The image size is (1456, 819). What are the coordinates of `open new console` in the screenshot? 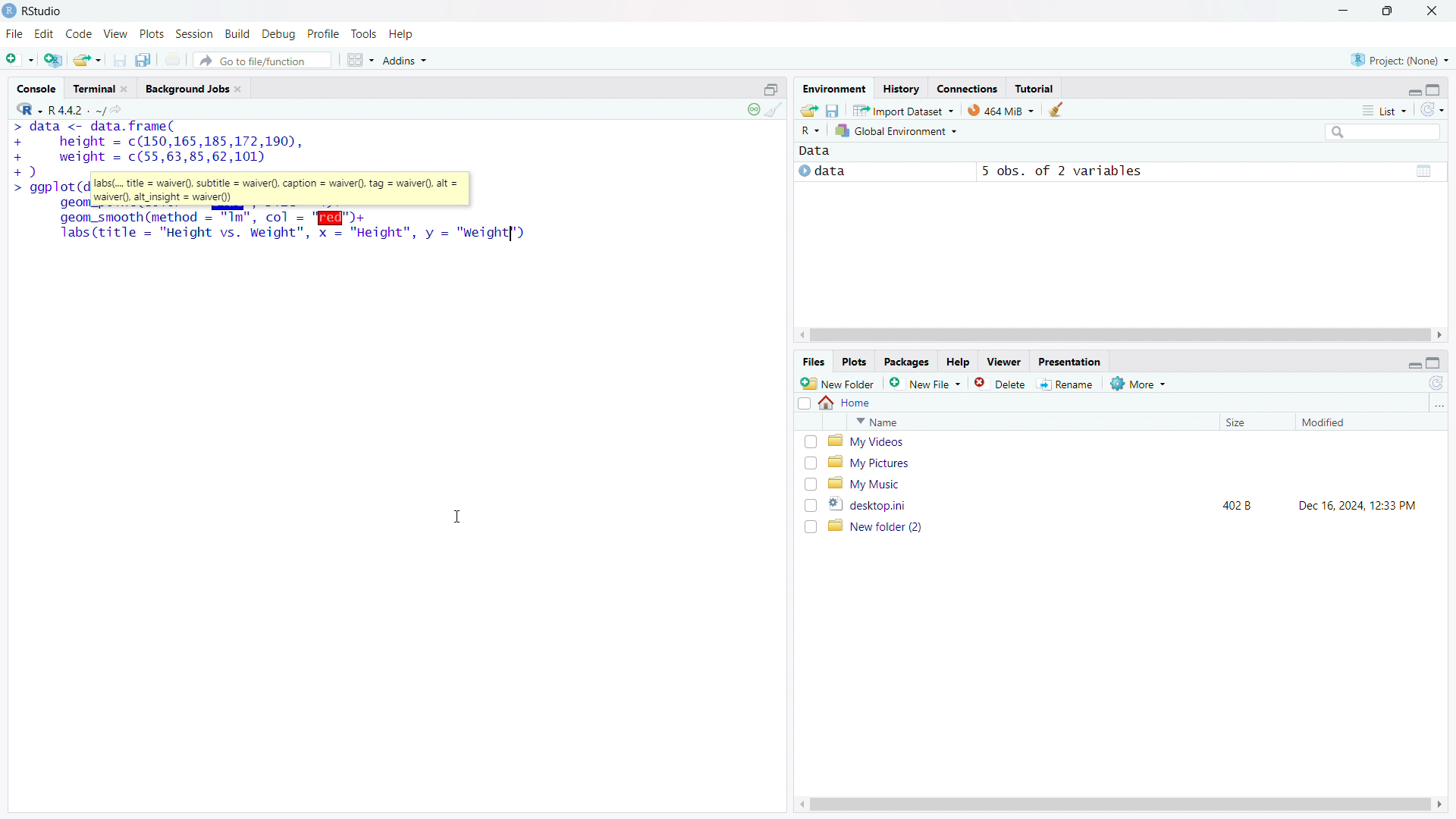 It's located at (771, 88).